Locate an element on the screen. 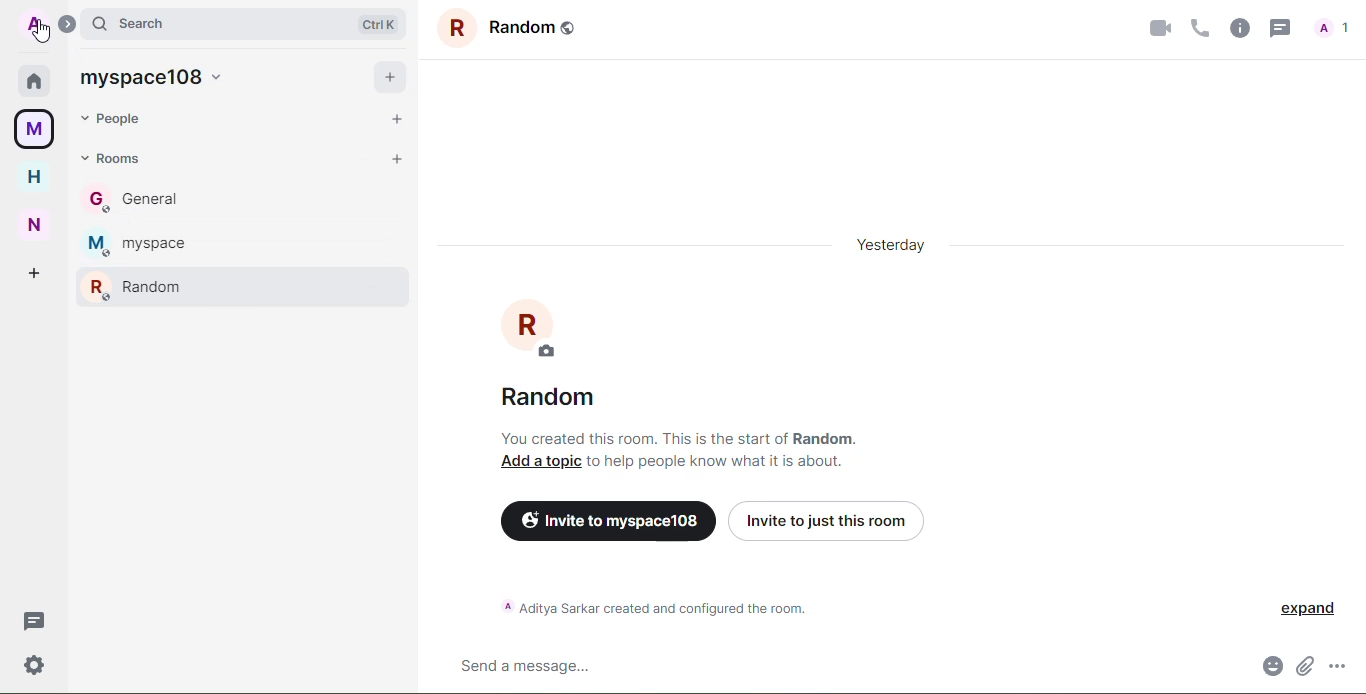  random is located at coordinates (554, 398).